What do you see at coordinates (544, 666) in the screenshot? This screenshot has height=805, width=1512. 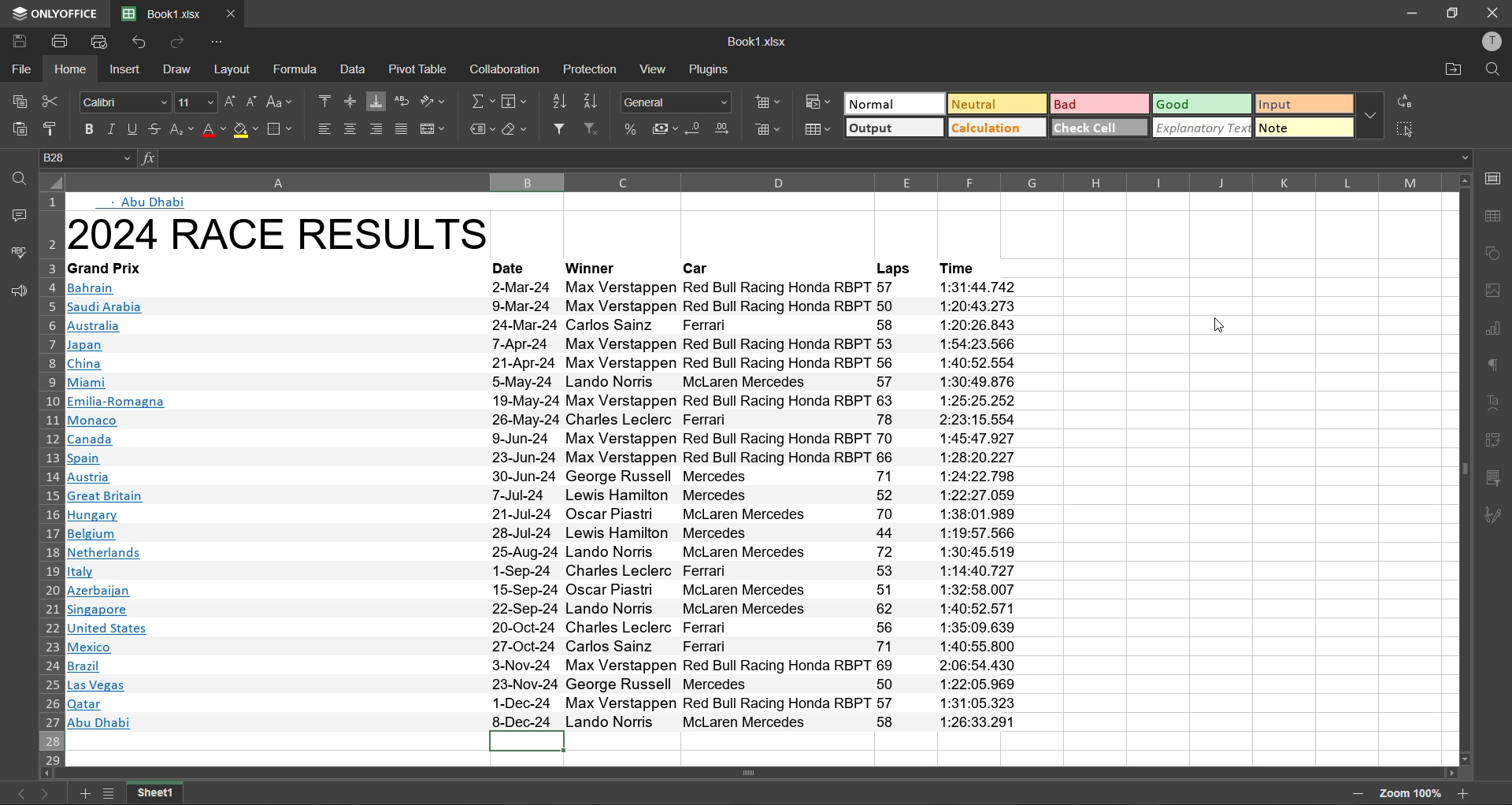 I see `Brazil 33-Nov-24 Max Verstappen Red Bull Racing Honda RBPT 69 2:06:54 .430` at bounding box center [544, 666].